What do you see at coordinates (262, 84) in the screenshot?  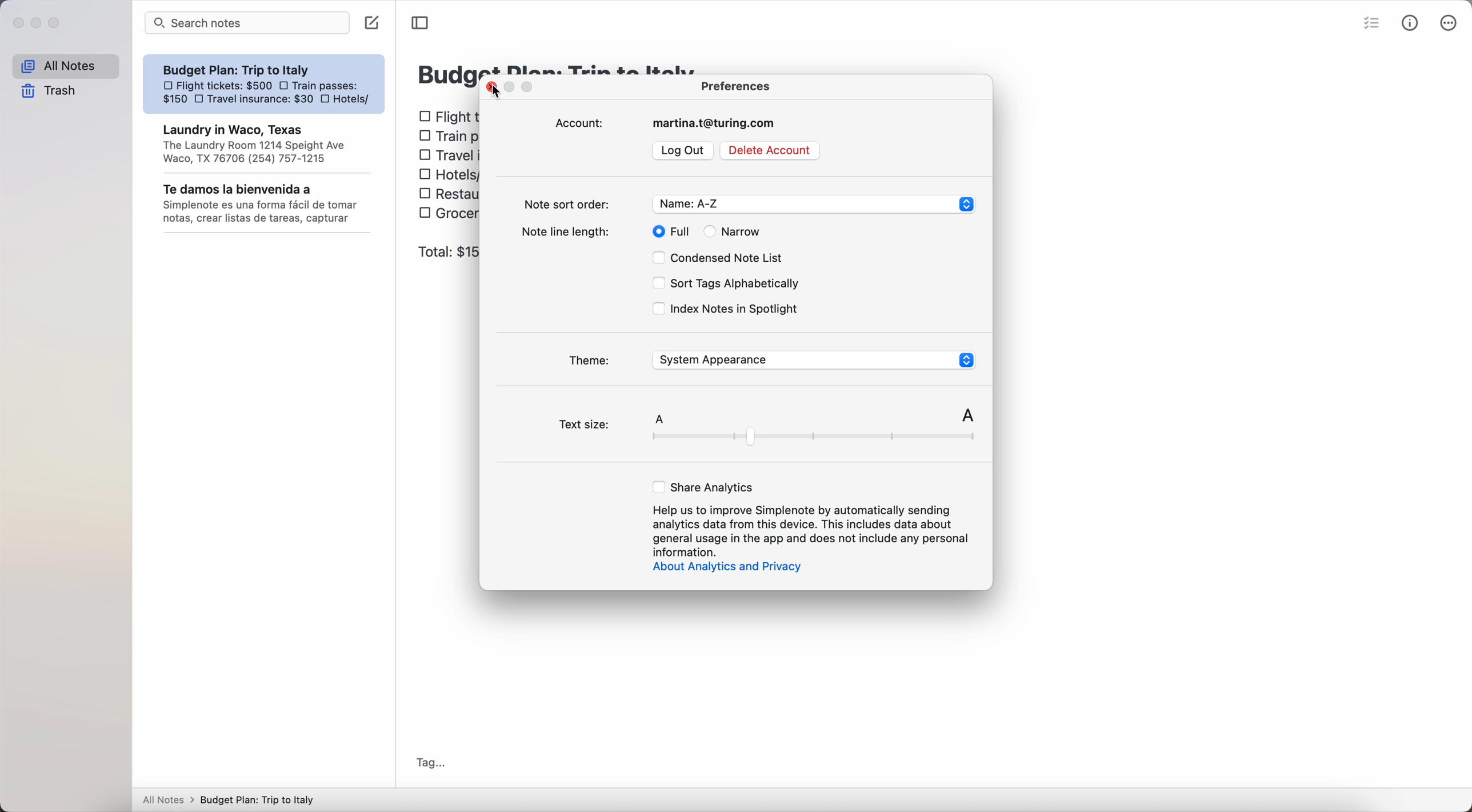 I see `Laundry in Waco, Texas note` at bounding box center [262, 84].